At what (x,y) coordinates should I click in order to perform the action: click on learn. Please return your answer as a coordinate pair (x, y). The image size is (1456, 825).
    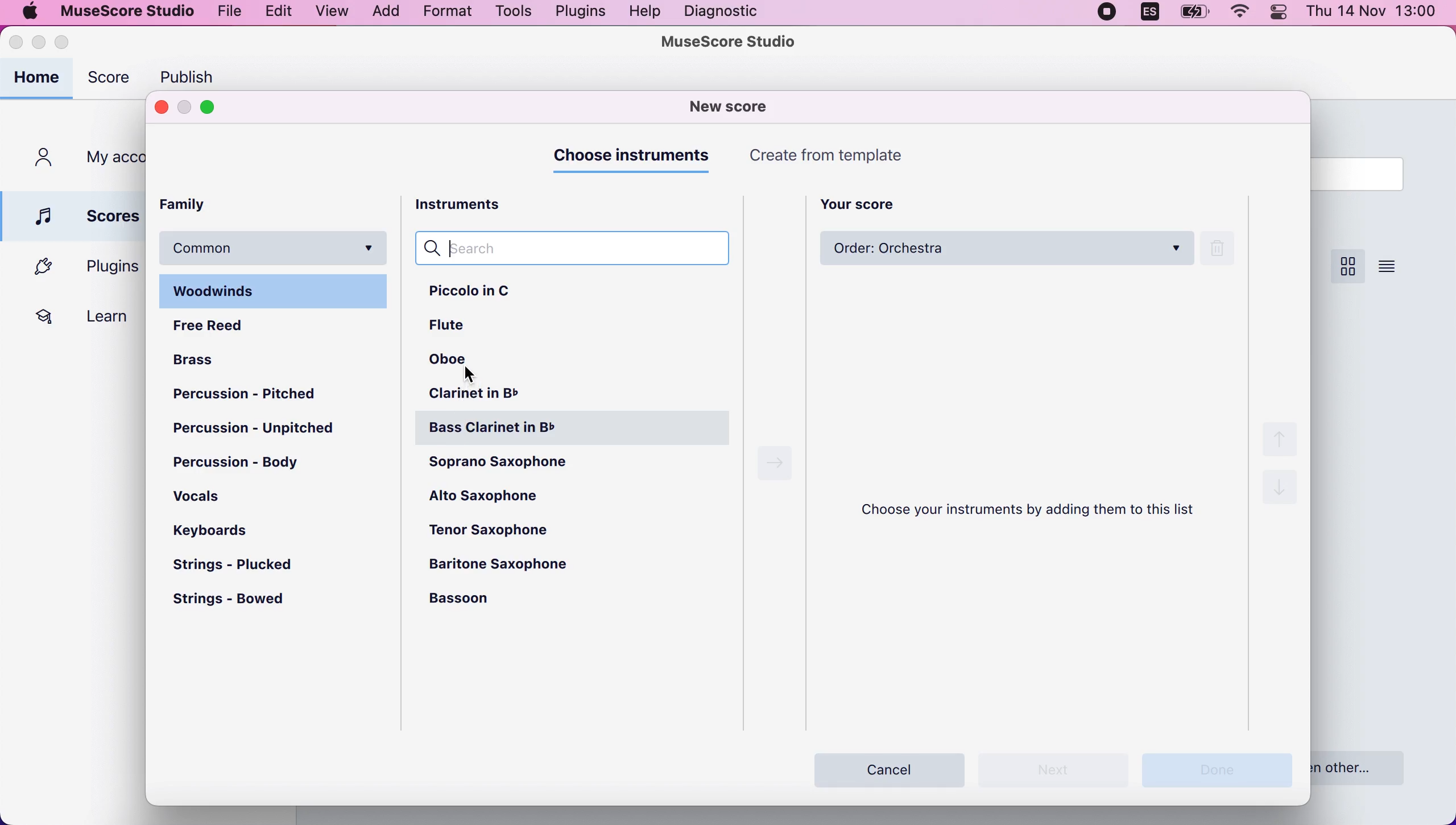
    Looking at the image, I should click on (76, 315).